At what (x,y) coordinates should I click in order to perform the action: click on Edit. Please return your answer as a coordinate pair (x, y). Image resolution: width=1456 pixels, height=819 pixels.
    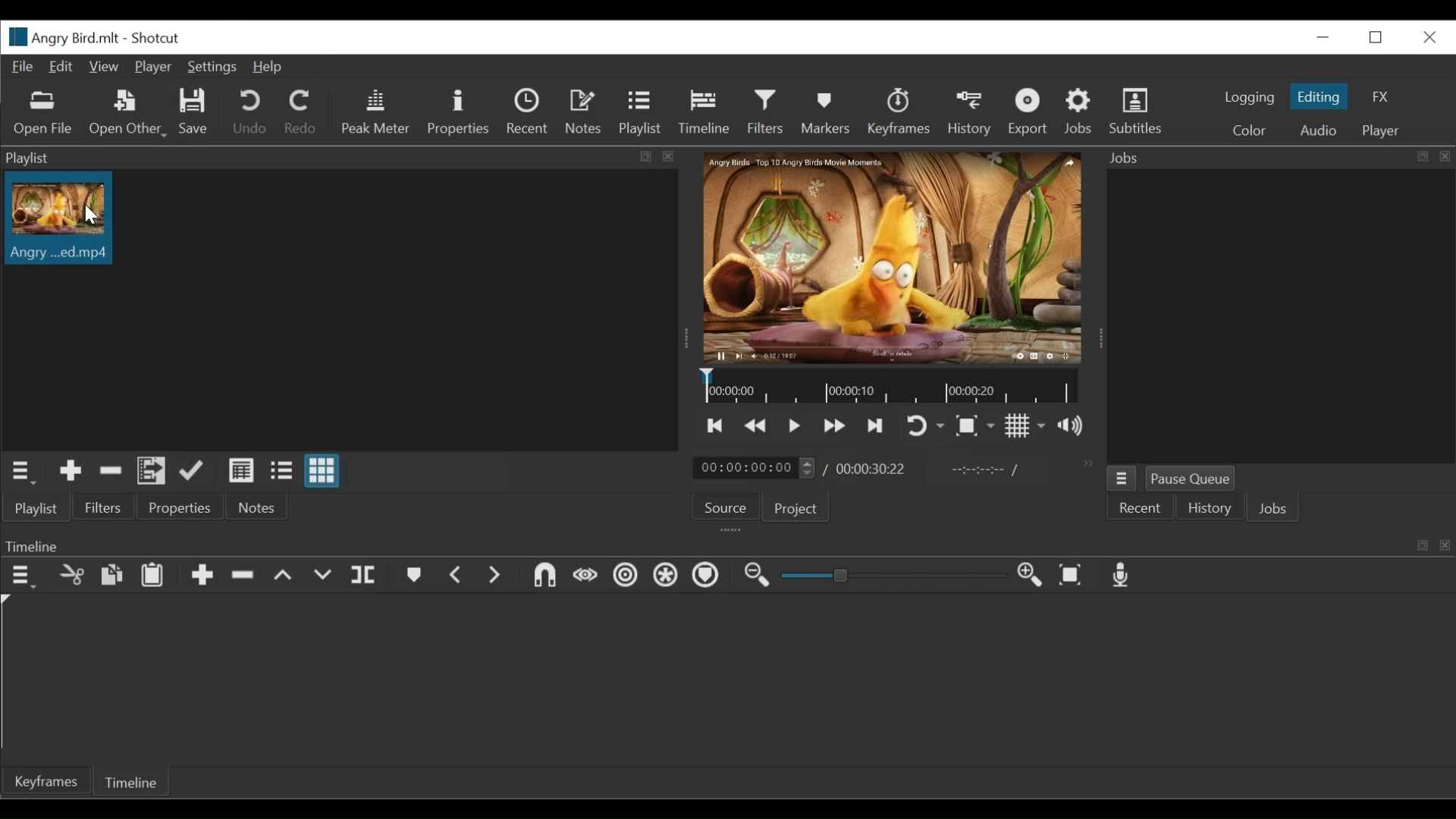
    Looking at the image, I should click on (62, 67).